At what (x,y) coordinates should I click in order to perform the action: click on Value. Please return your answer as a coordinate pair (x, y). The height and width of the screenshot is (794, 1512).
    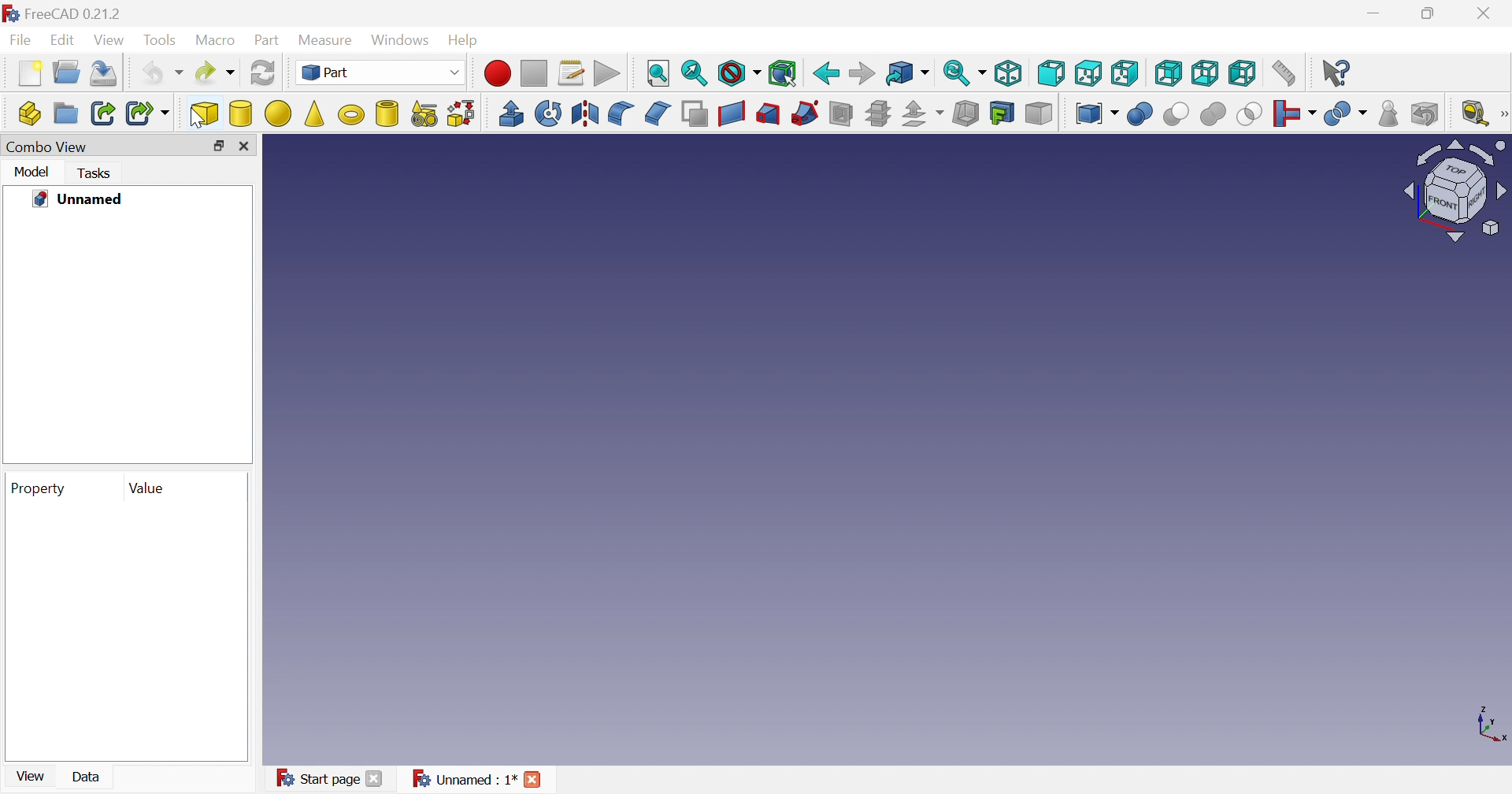
    Looking at the image, I should click on (150, 488).